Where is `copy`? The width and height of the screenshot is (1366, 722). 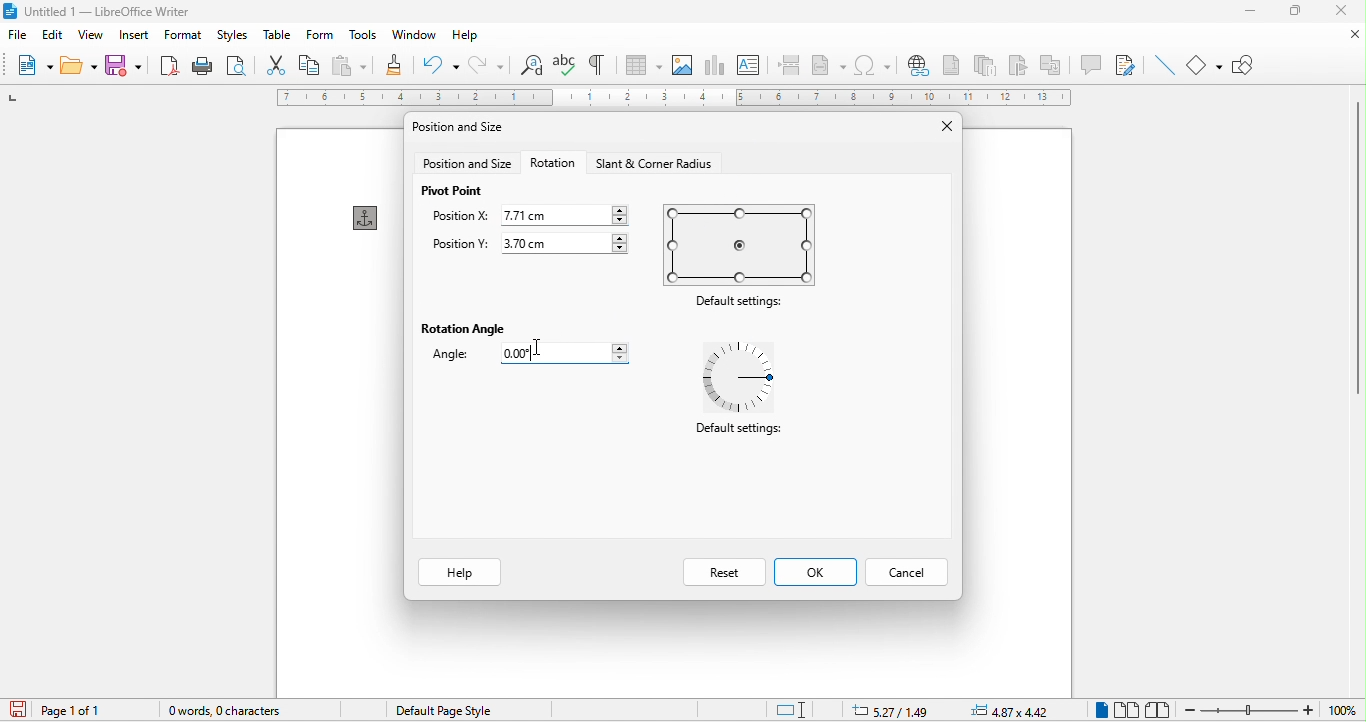
copy is located at coordinates (310, 66).